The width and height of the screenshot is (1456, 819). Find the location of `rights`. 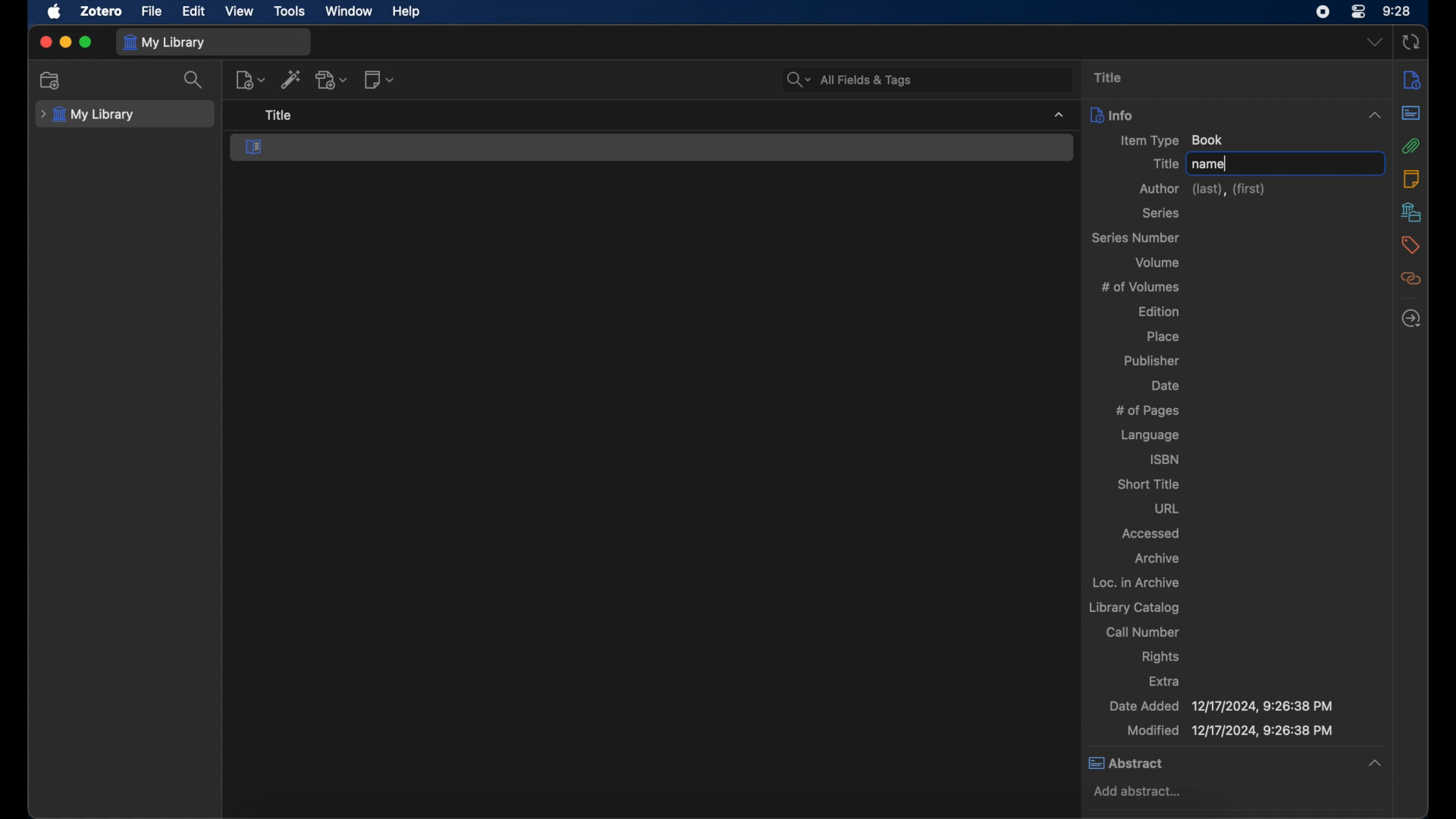

rights is located at coordinates (1160, 657).